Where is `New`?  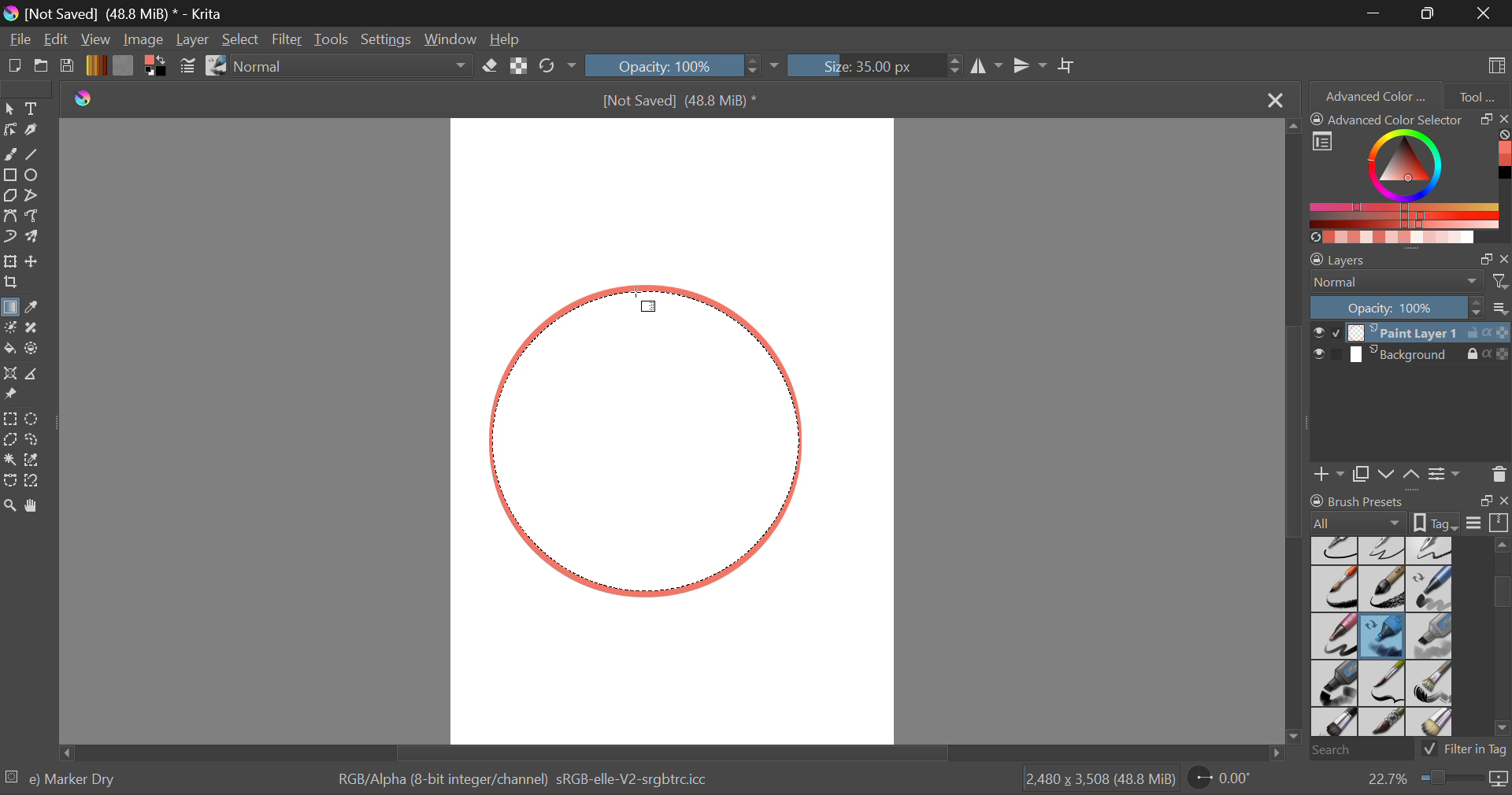 New is located at coordinates (15, 68).